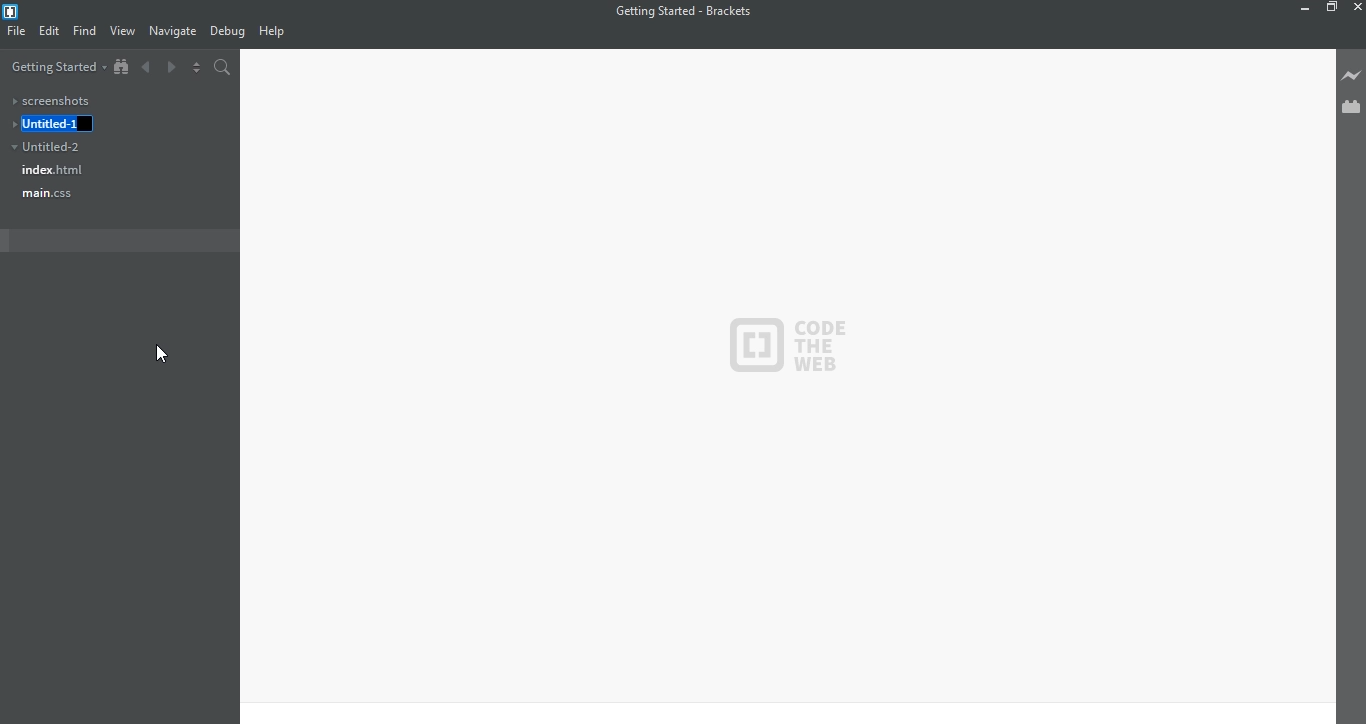 This screenshot has width=1366, height=724. I want to click on untitled - 1, so click(63, 123).